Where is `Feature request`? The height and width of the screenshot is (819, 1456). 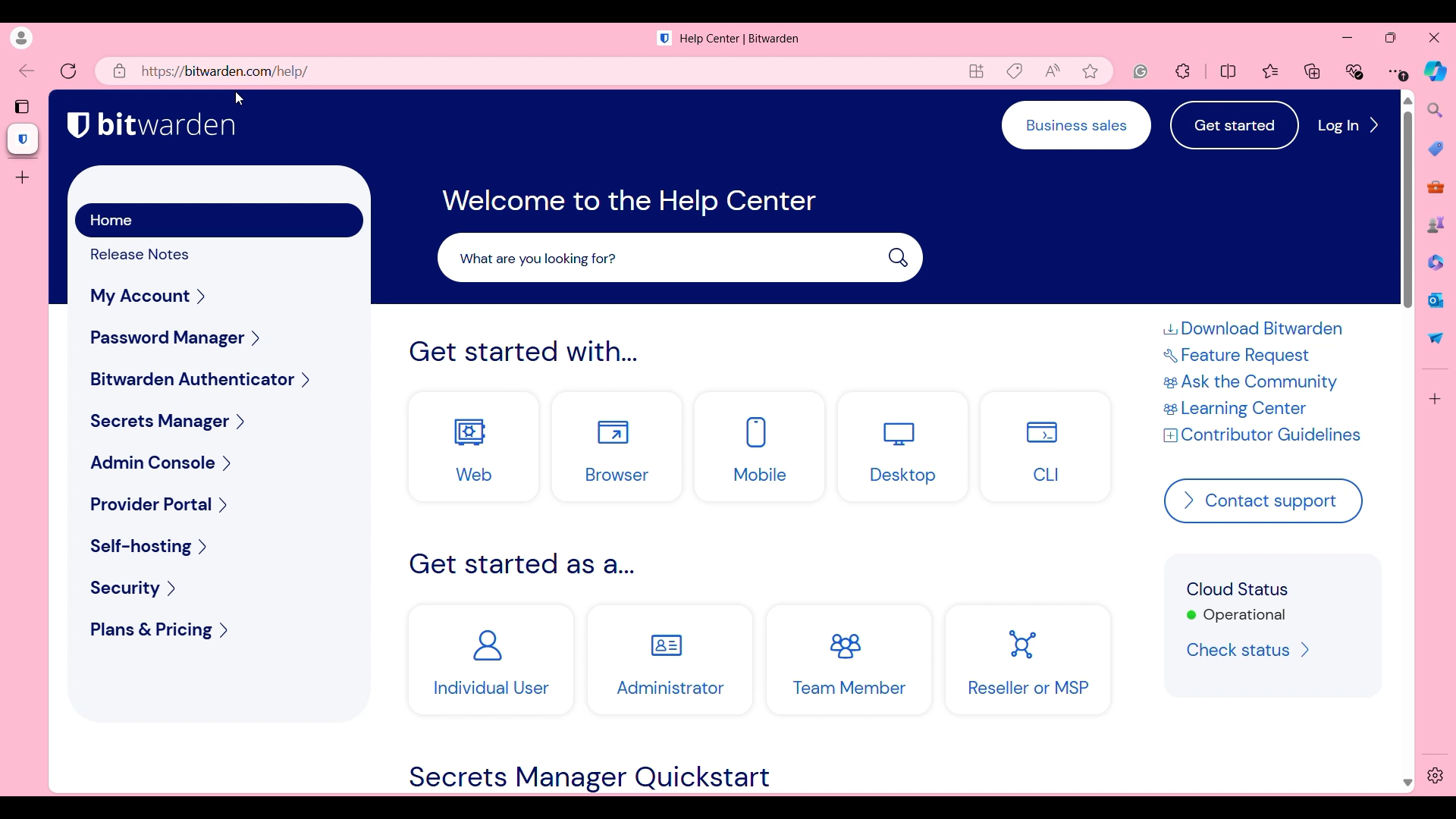
Feature request is located at coordinates (1250, 356).